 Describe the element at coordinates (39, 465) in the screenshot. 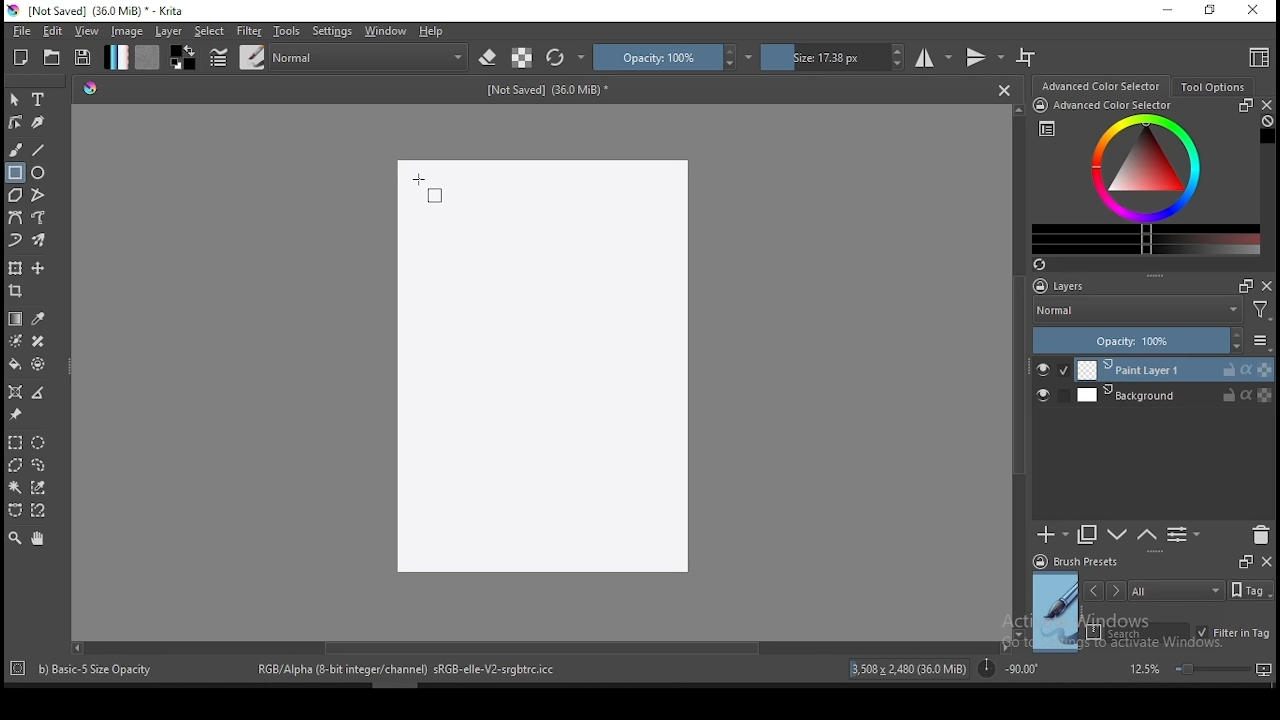

I see `freehand selection tool` at that location.